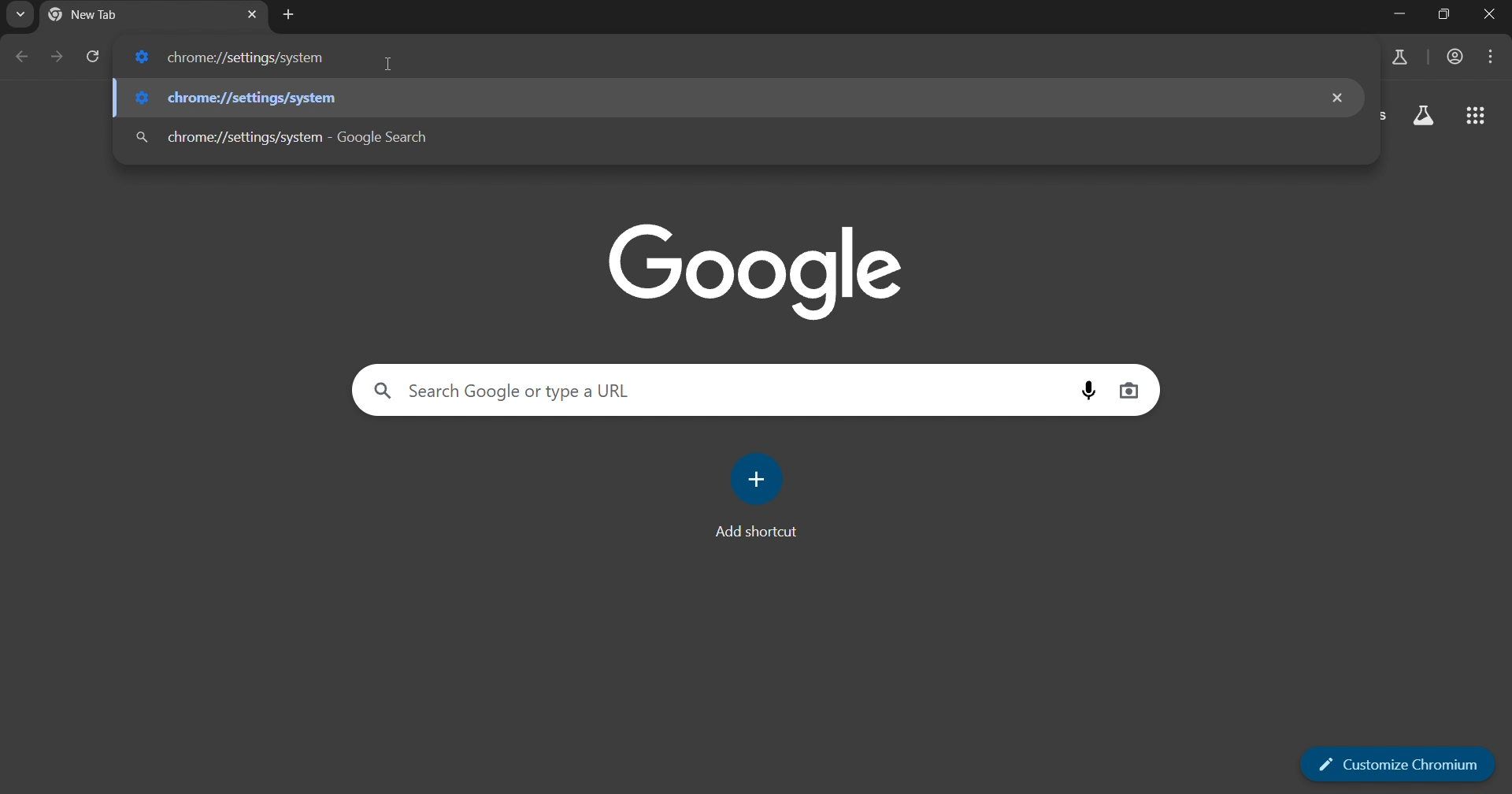 The image size is (1512, 794). I want to click on voice search, so click(1081, 390).